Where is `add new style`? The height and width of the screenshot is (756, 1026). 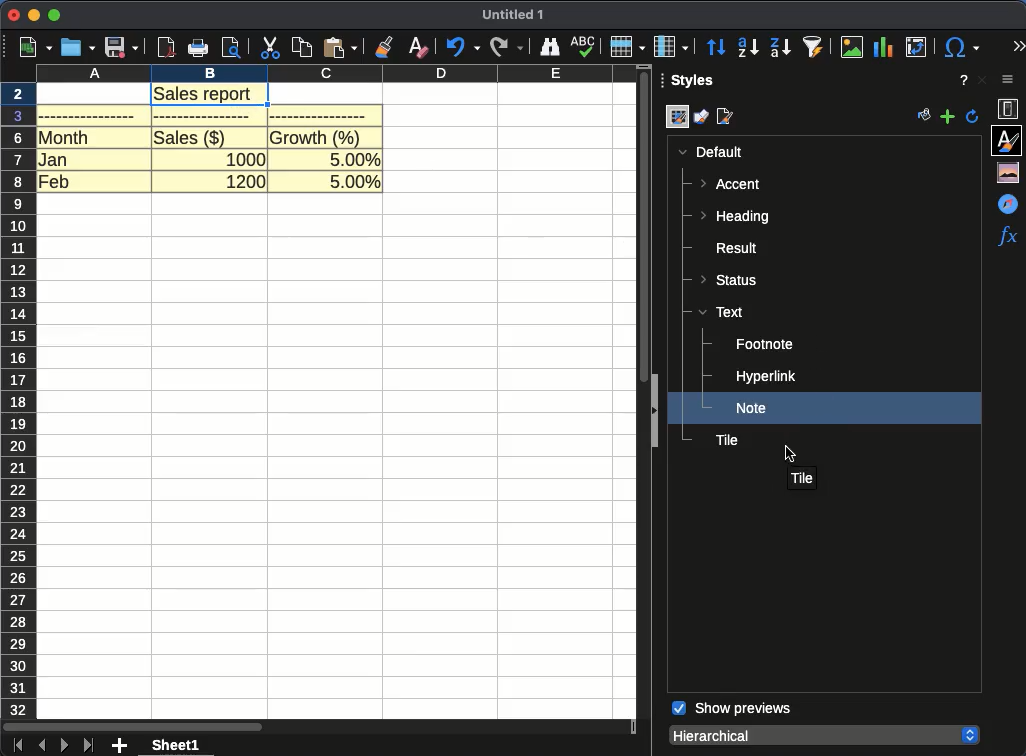 add new style is located at coordinates (947, 117).